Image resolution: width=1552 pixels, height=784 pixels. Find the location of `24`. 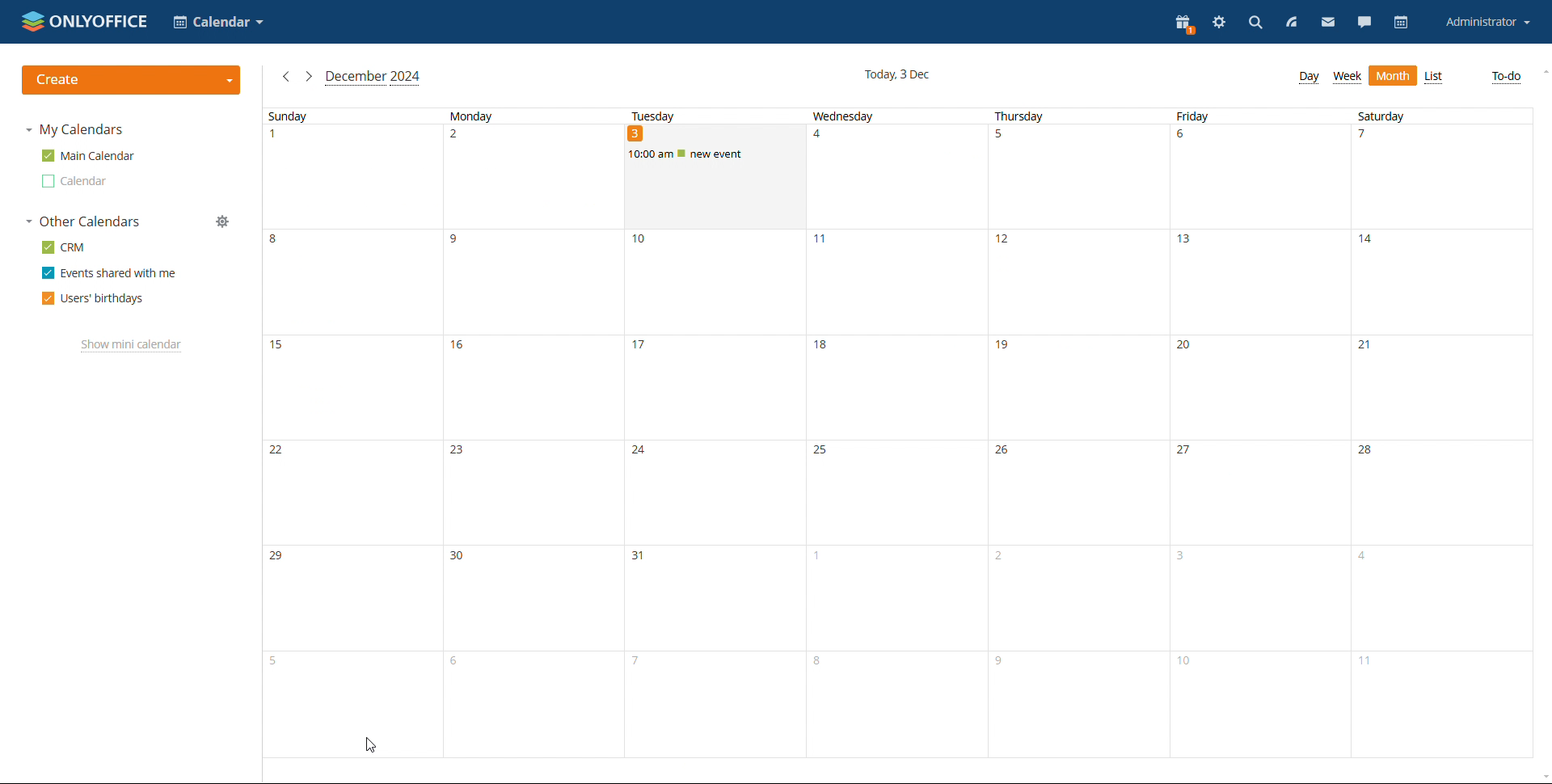

24 is located at coordinates (713, 493).